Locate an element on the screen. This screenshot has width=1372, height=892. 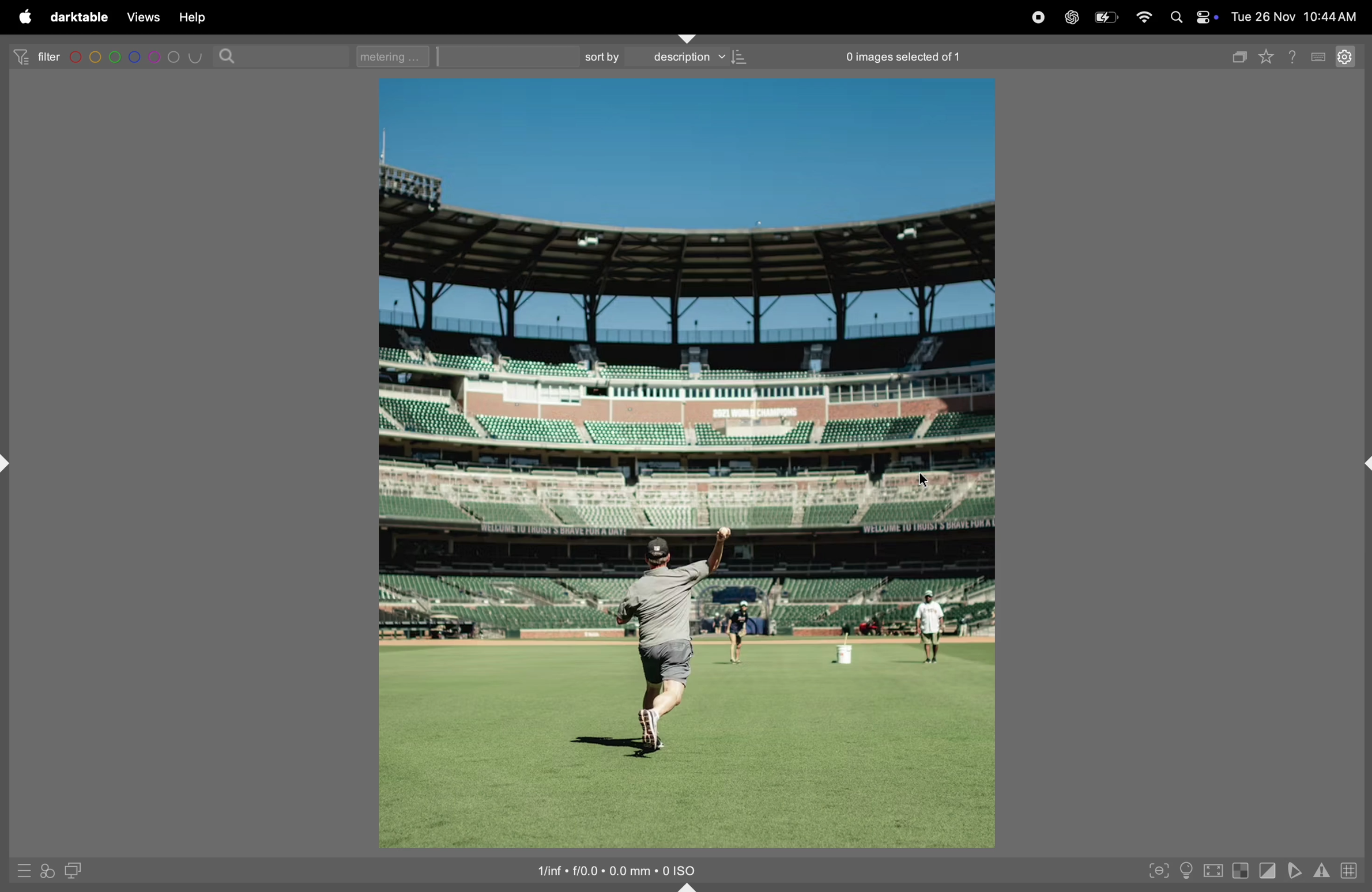
image is located at coordinates (685, 464).